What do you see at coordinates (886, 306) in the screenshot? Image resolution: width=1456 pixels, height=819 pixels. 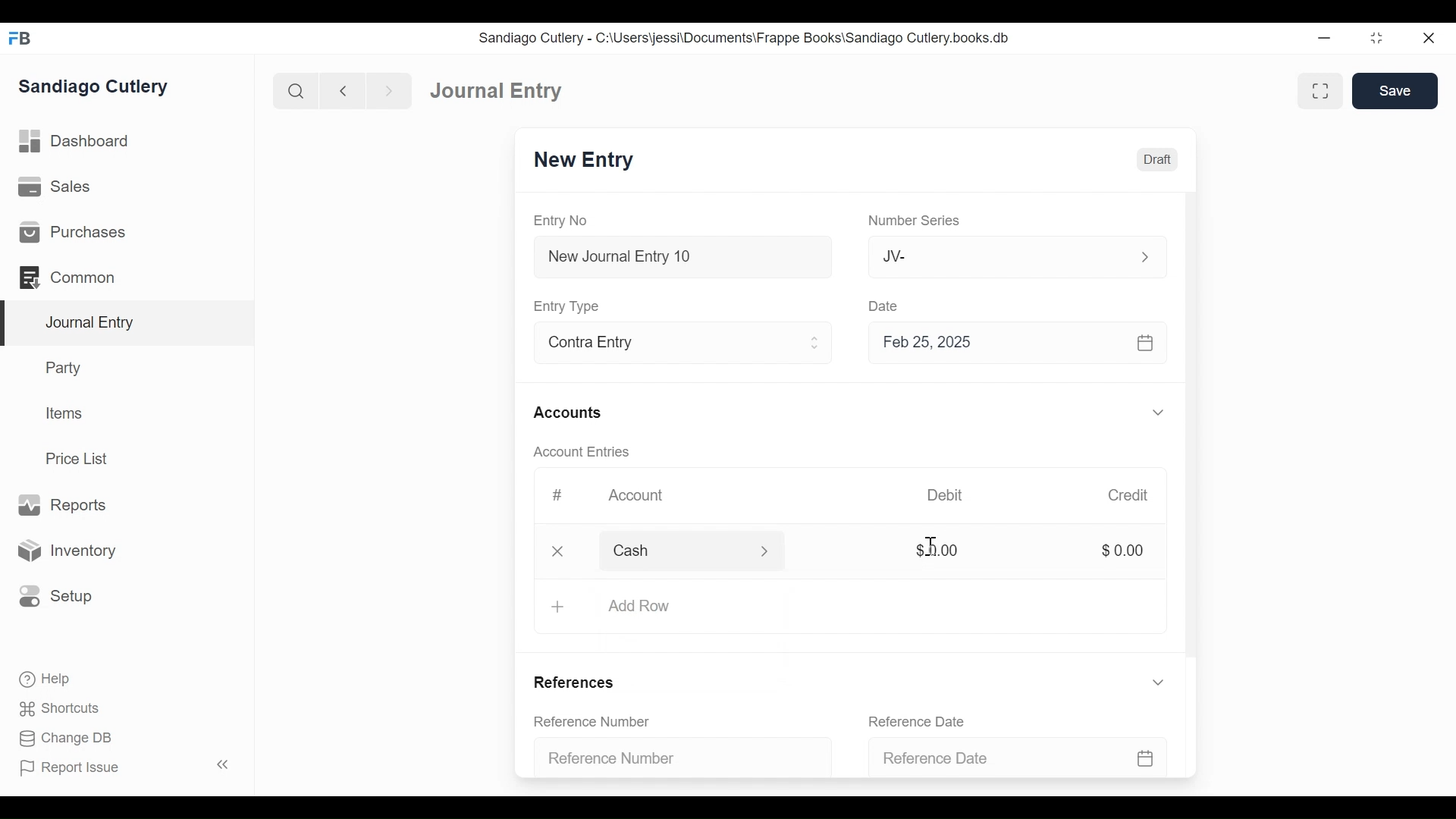 I see `Date` at bounding box center [886, 306].